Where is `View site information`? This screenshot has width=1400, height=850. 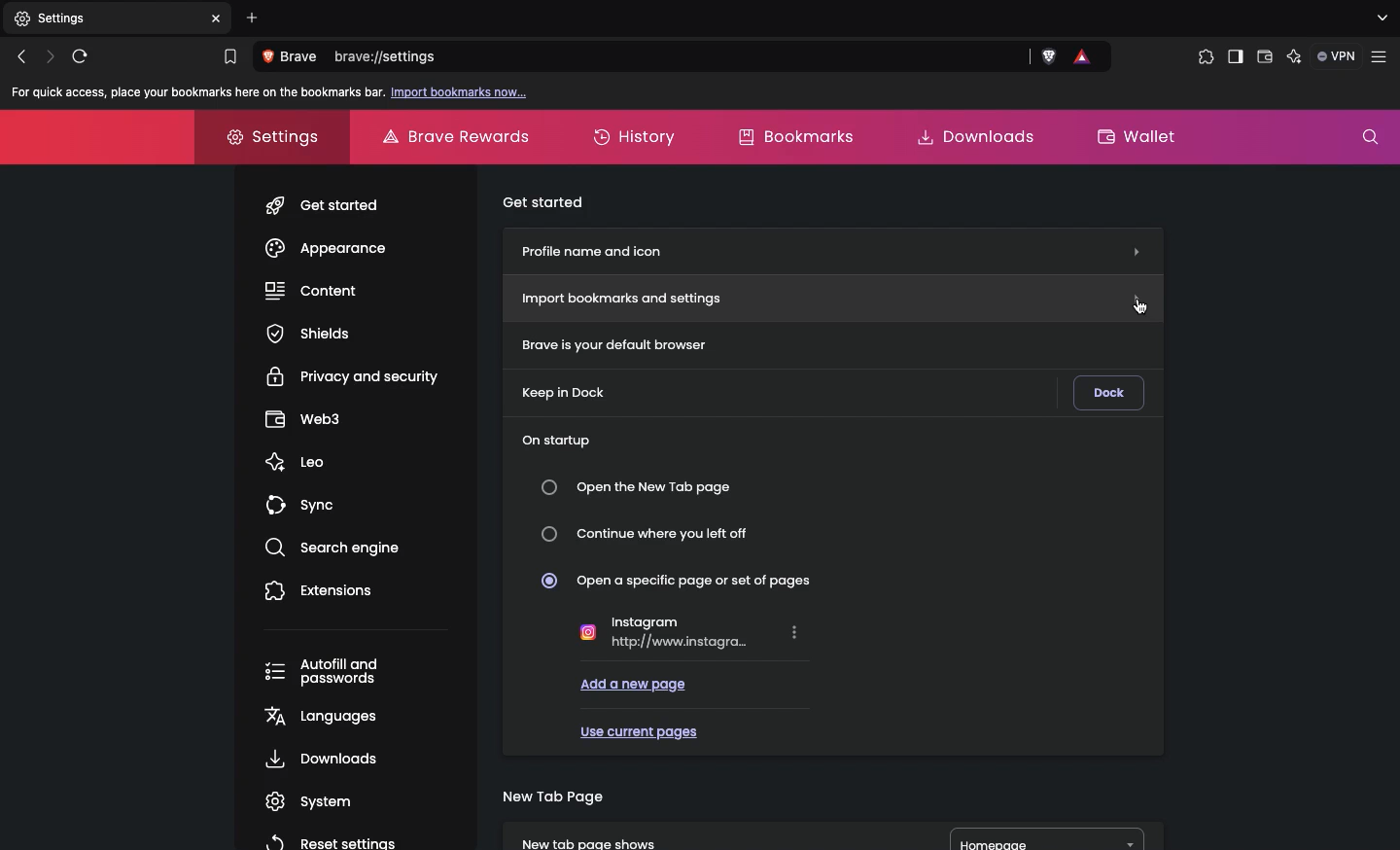
View site information is located at coordinates (294, 57).